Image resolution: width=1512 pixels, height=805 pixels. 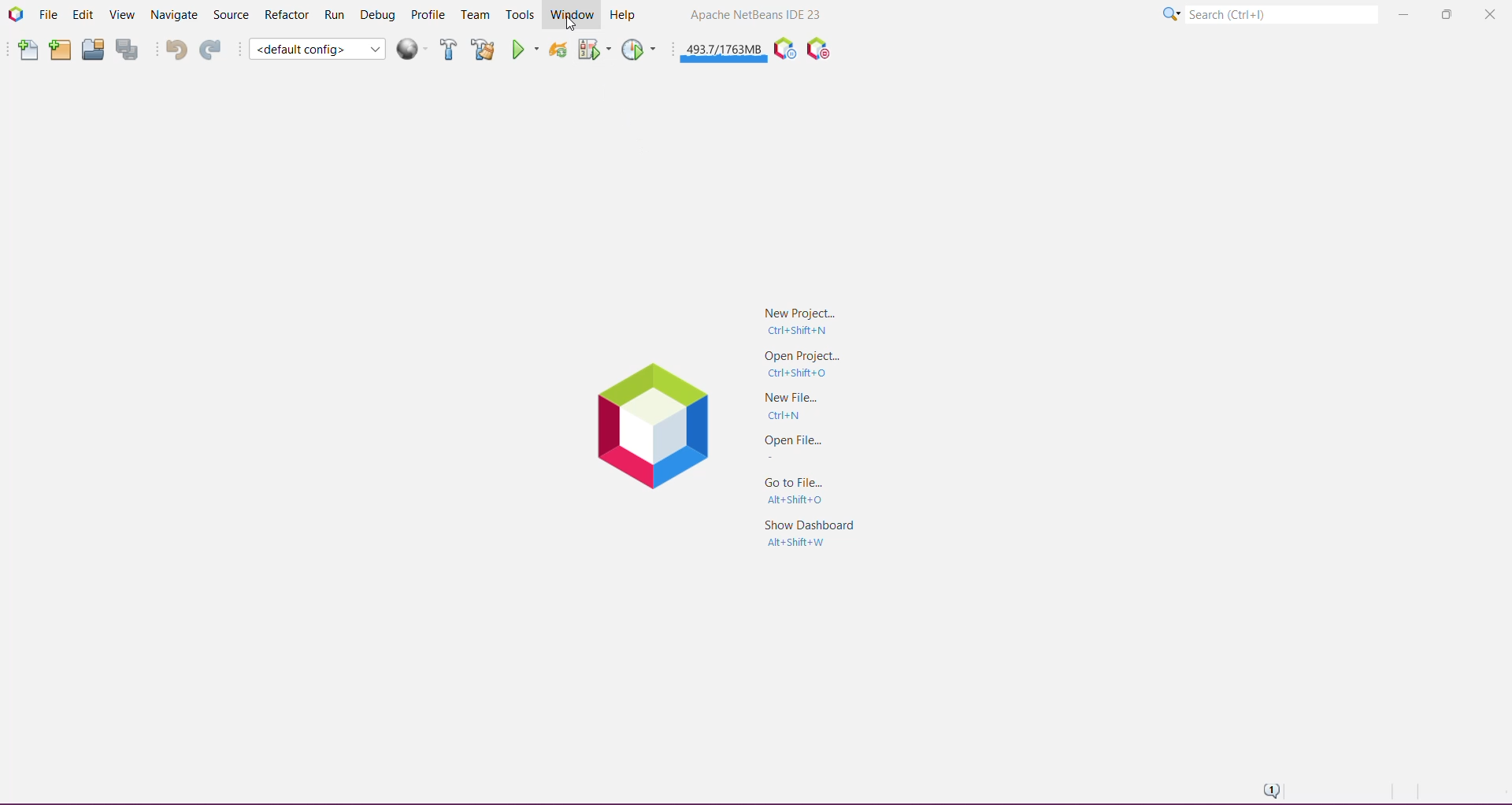 I want to click on cursor, so click(x=572, y=24).